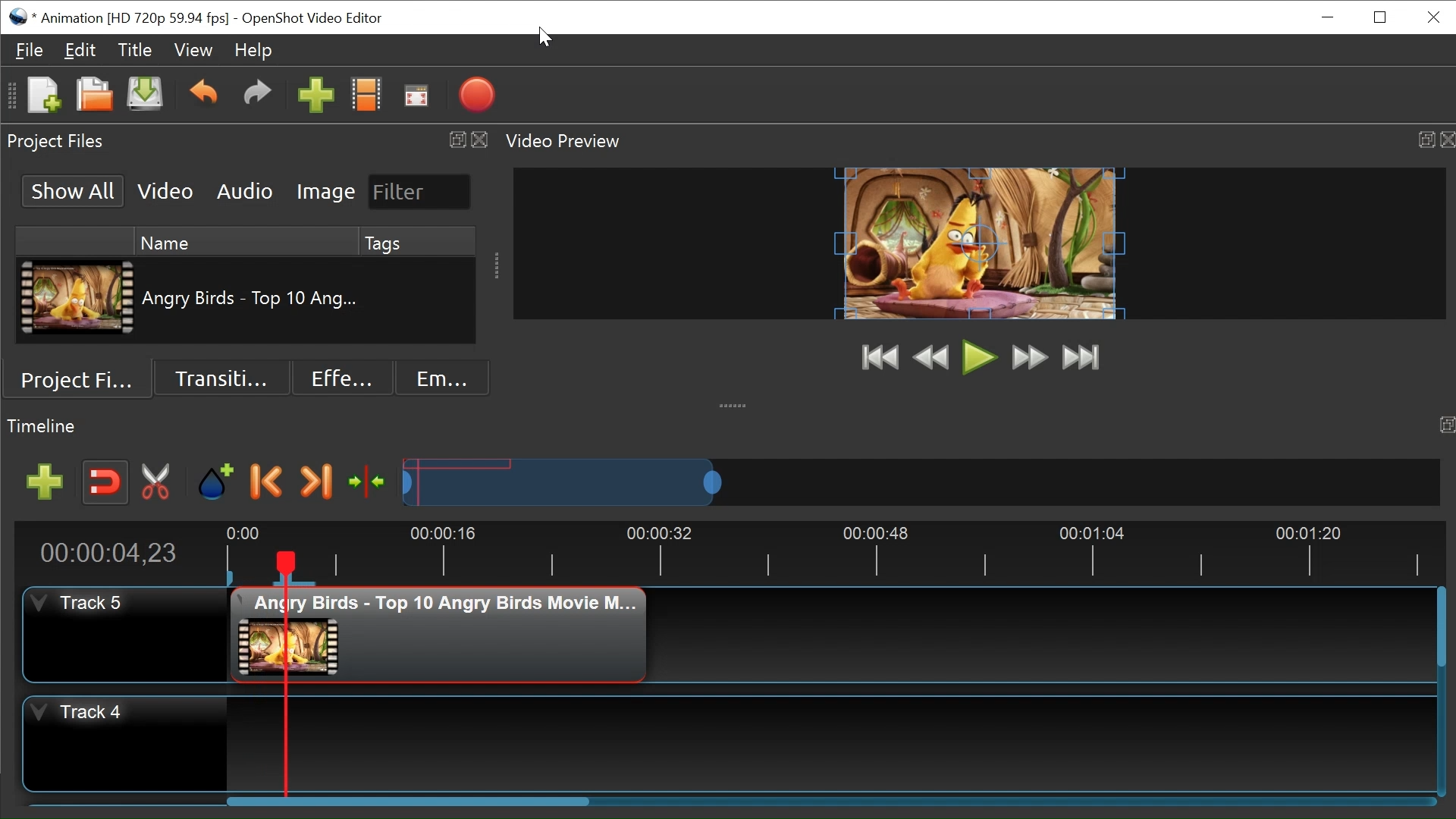  Describe the element at coordinates (1442, 626) in the screenshot. I see `Horizontal Scroll bar` at that location.